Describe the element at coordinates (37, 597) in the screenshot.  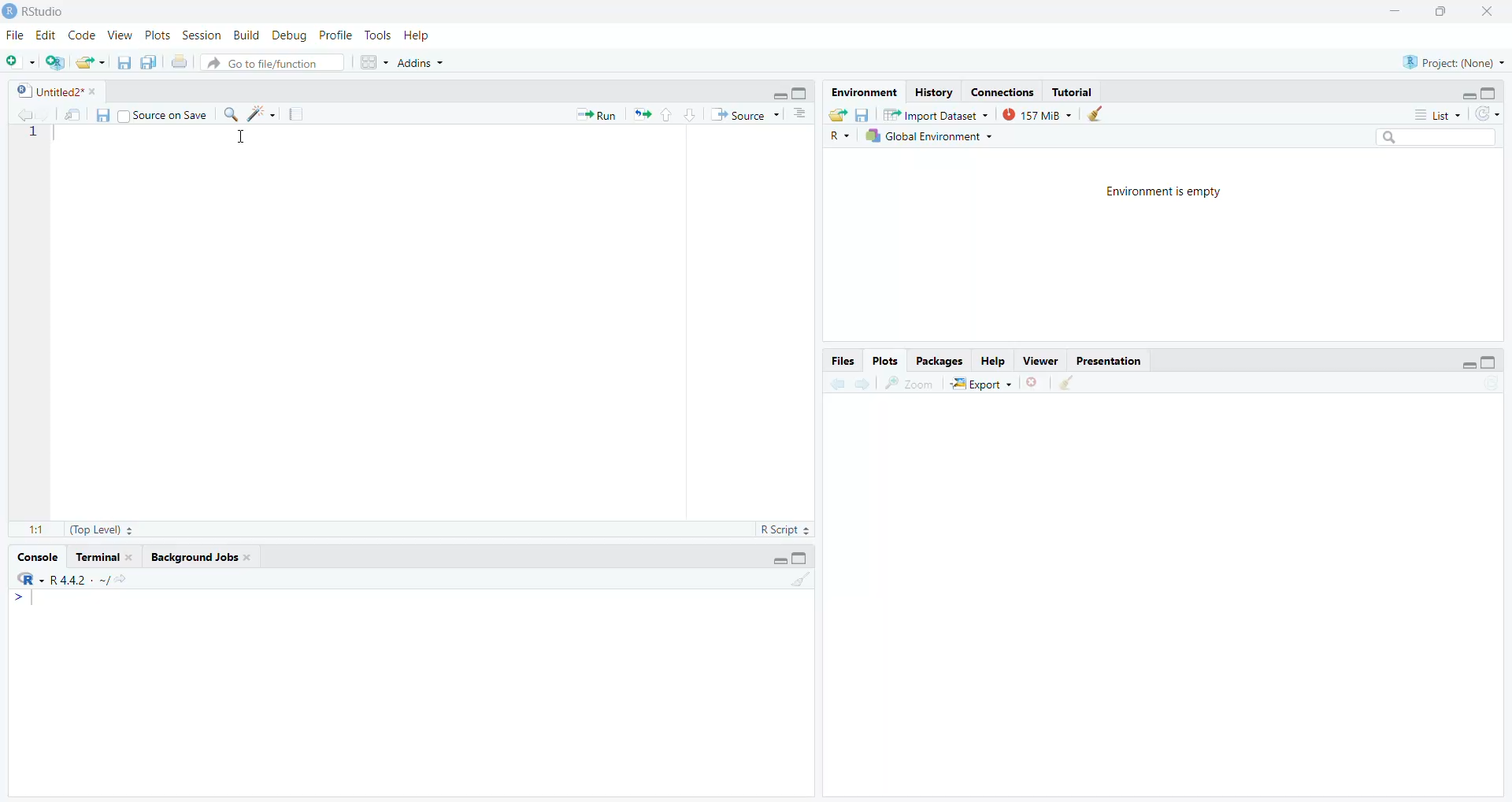
I see `text cursor` at that location.